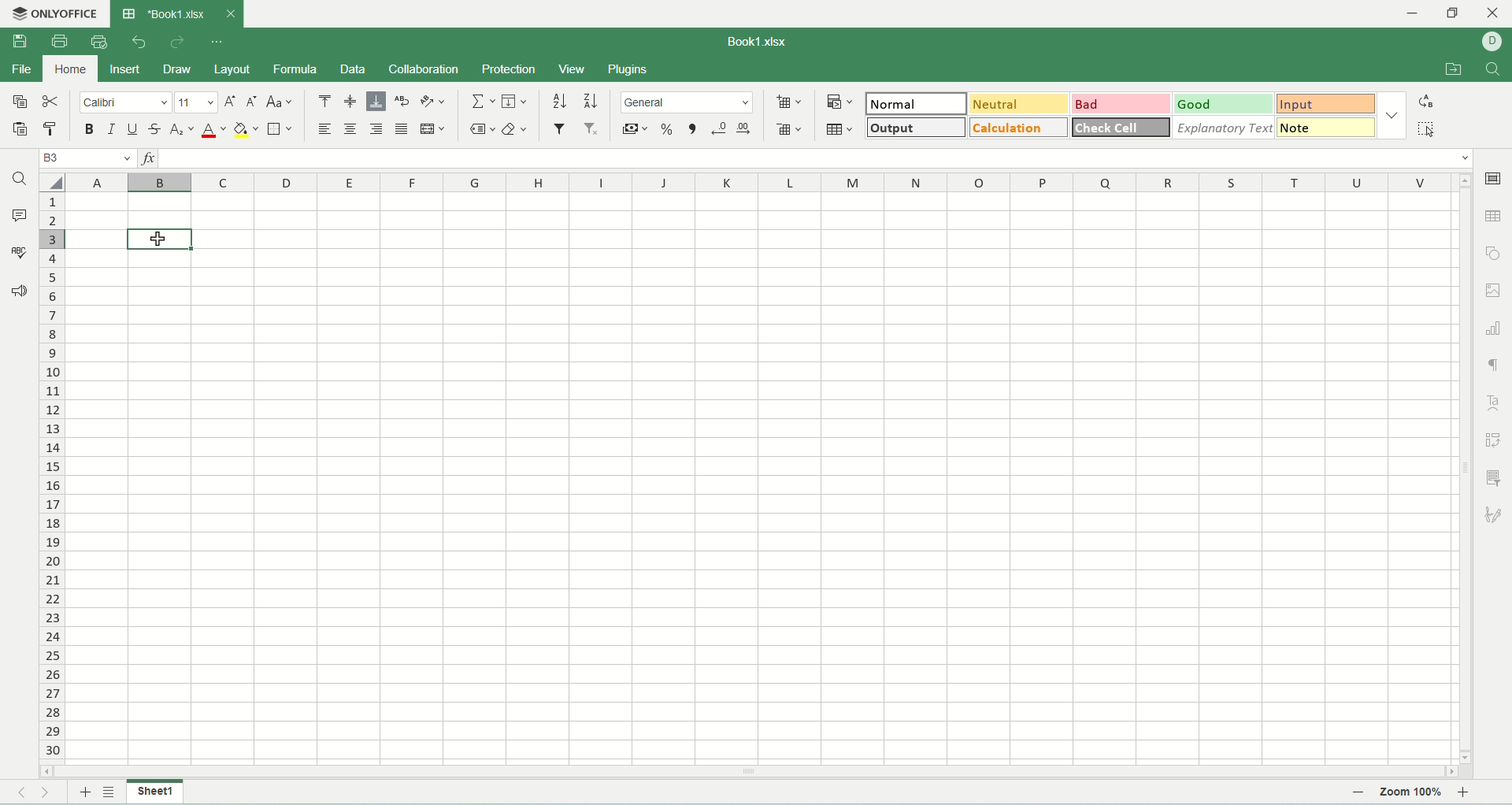 The image size is (1512, 805). Describe the element at coordinates (128, 103) in the screenshot. I see `font name` at that location.